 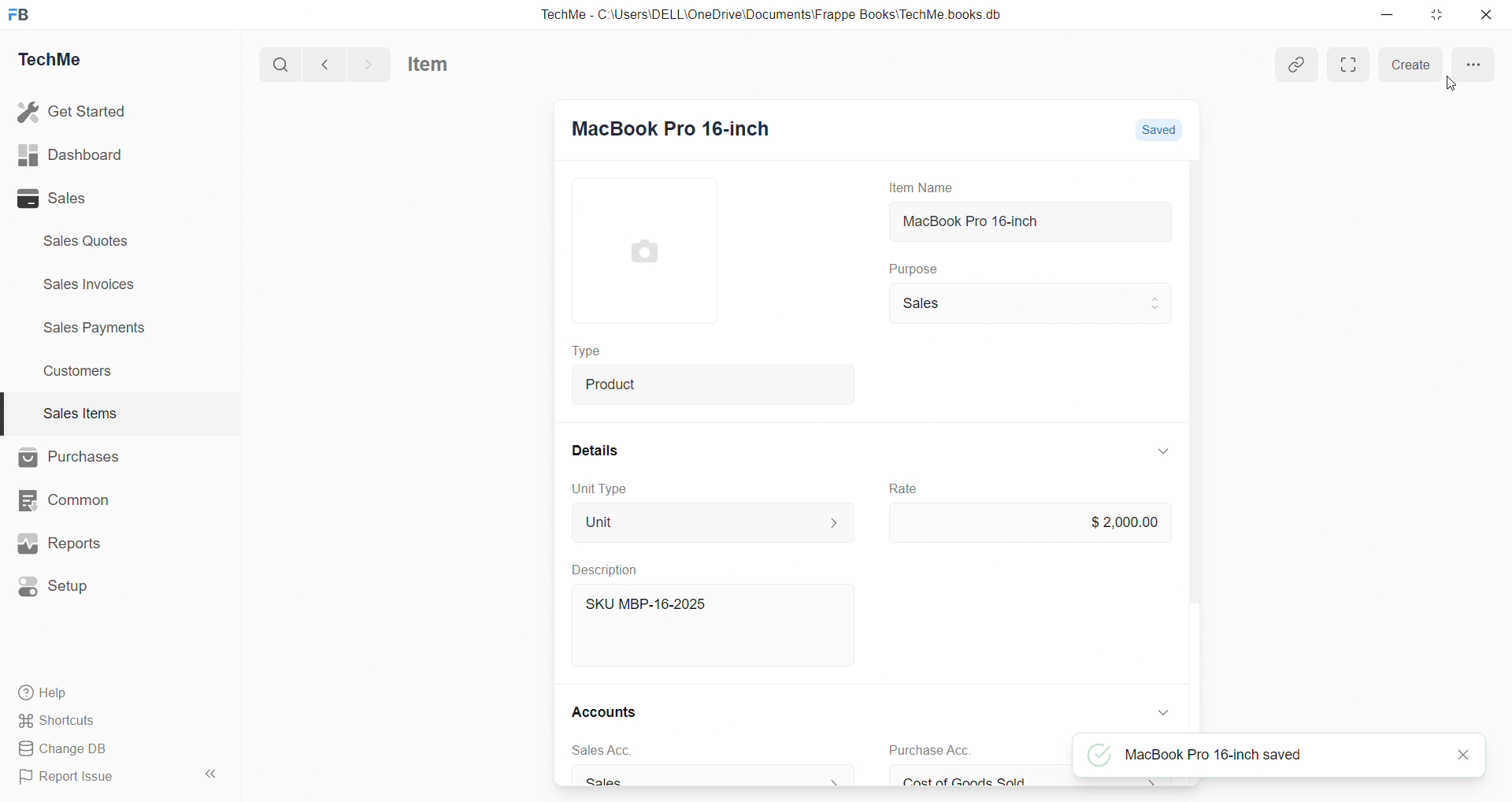 I want to click on forward, so click(x=369, y=64).